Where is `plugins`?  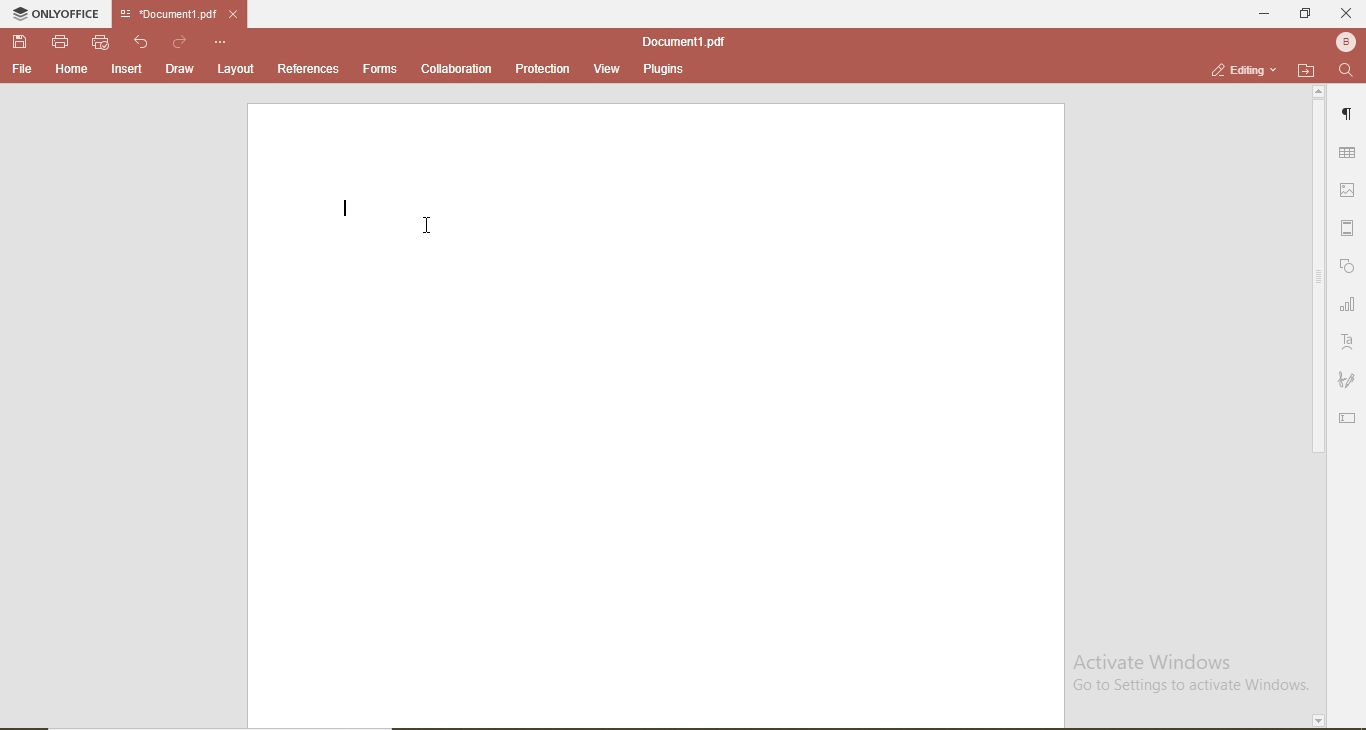 plugins is located at coordinates (660, 69).